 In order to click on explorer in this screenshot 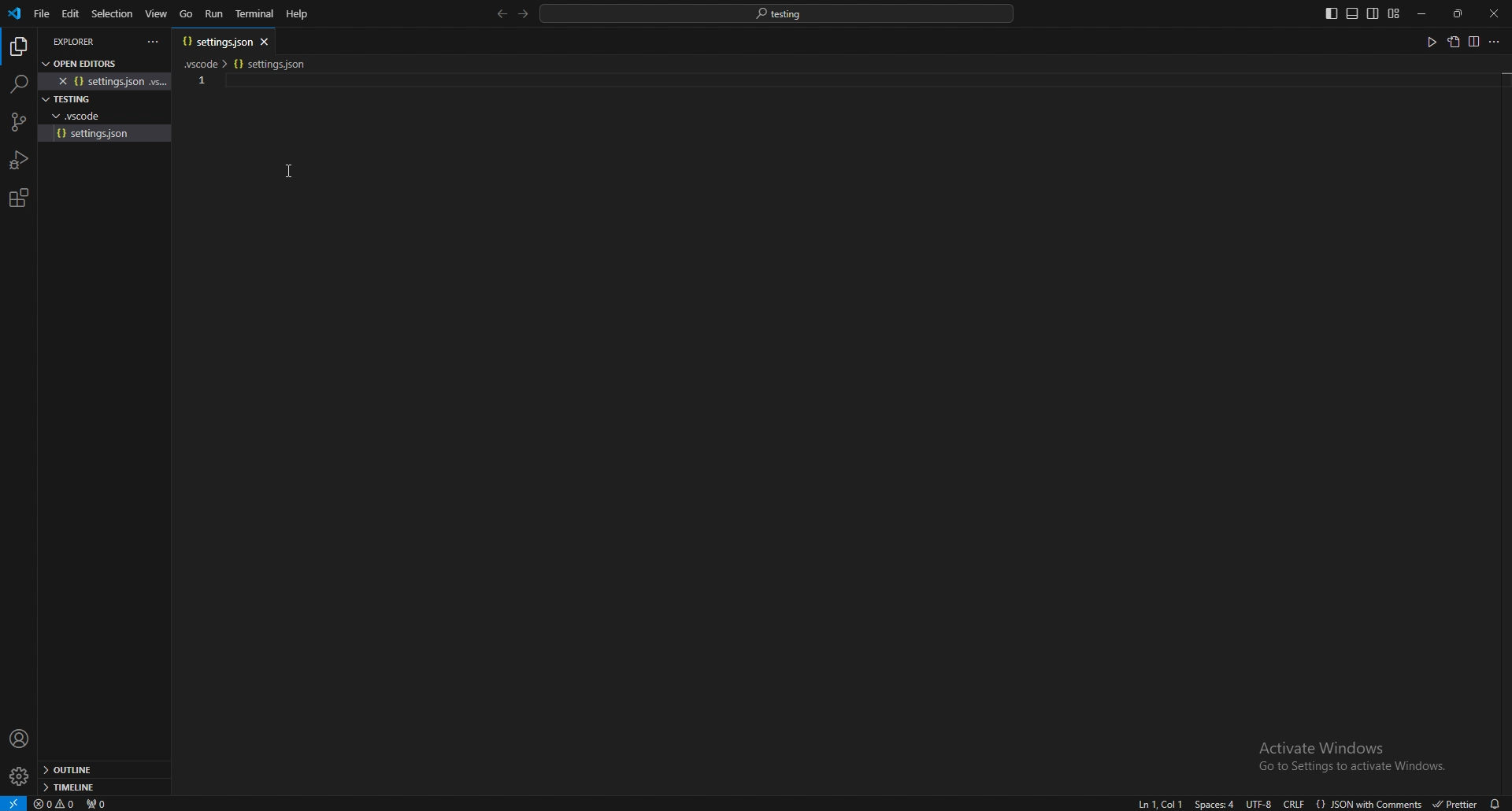, I will do `click(83, 41)`.